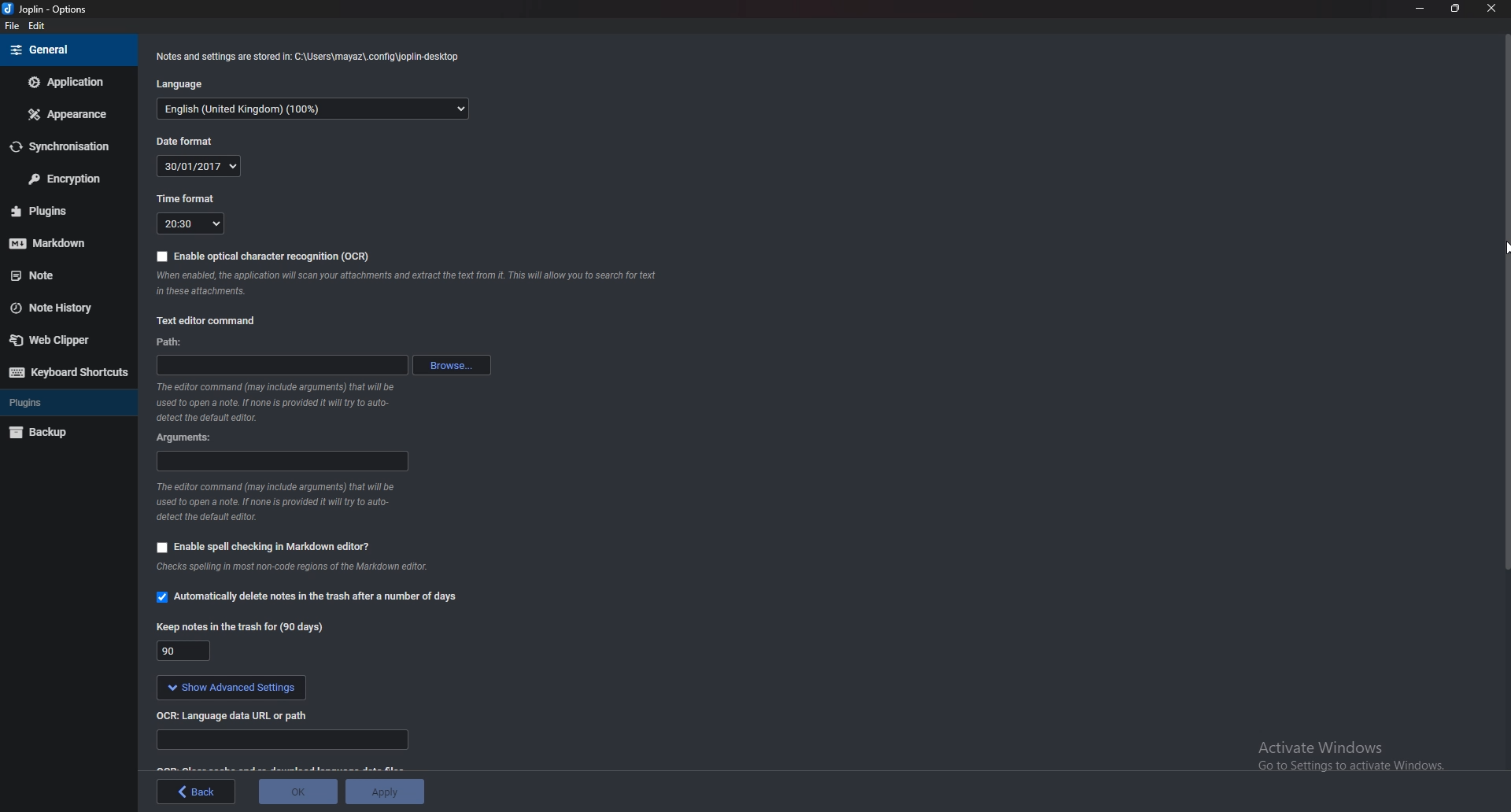 Image resolution: width=1511 pixels, height=812 pixels. I want to click on general, so click(67, 50).